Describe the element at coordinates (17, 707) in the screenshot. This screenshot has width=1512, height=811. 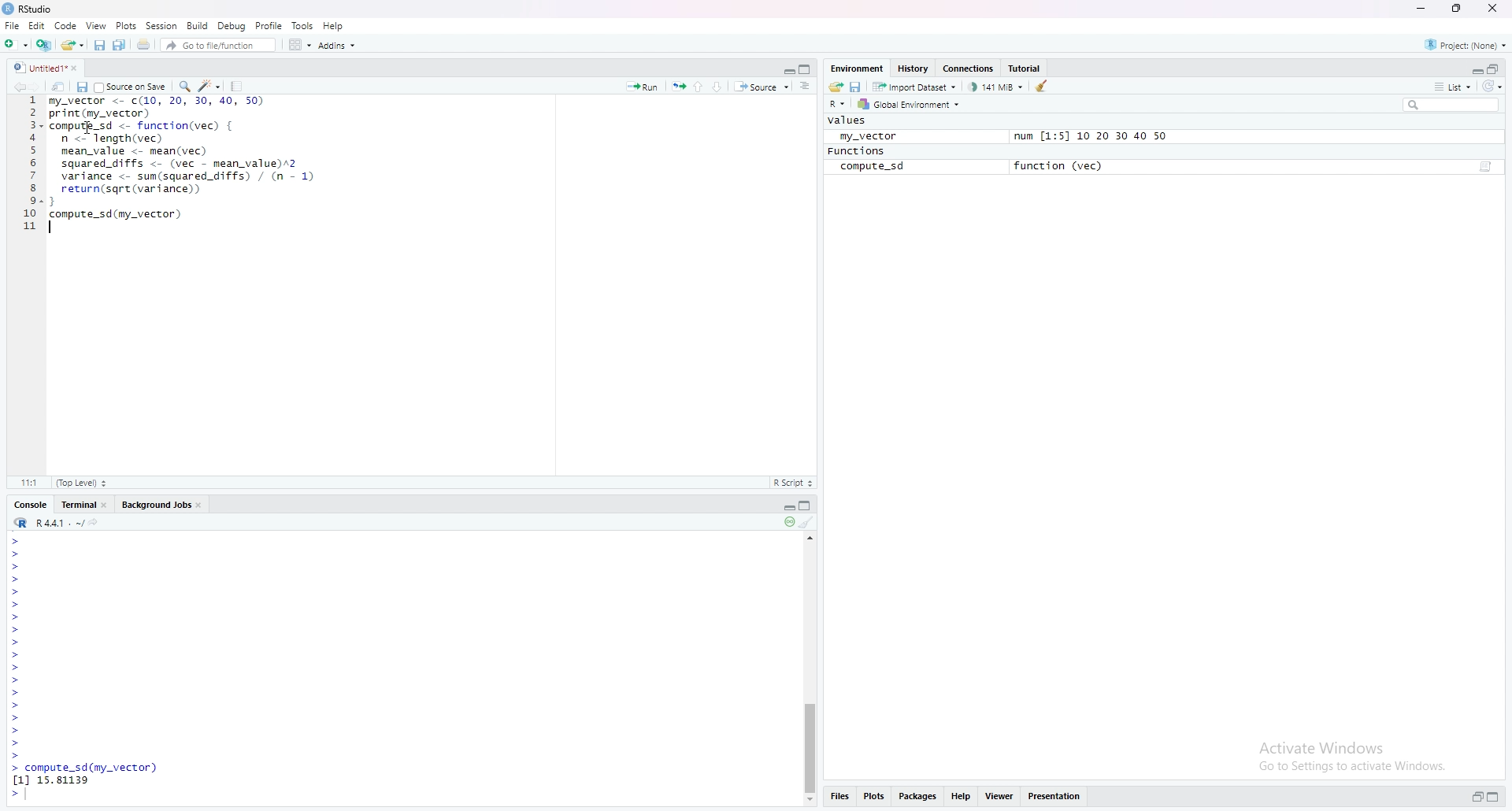
I see `Prompt cursor` at that location.